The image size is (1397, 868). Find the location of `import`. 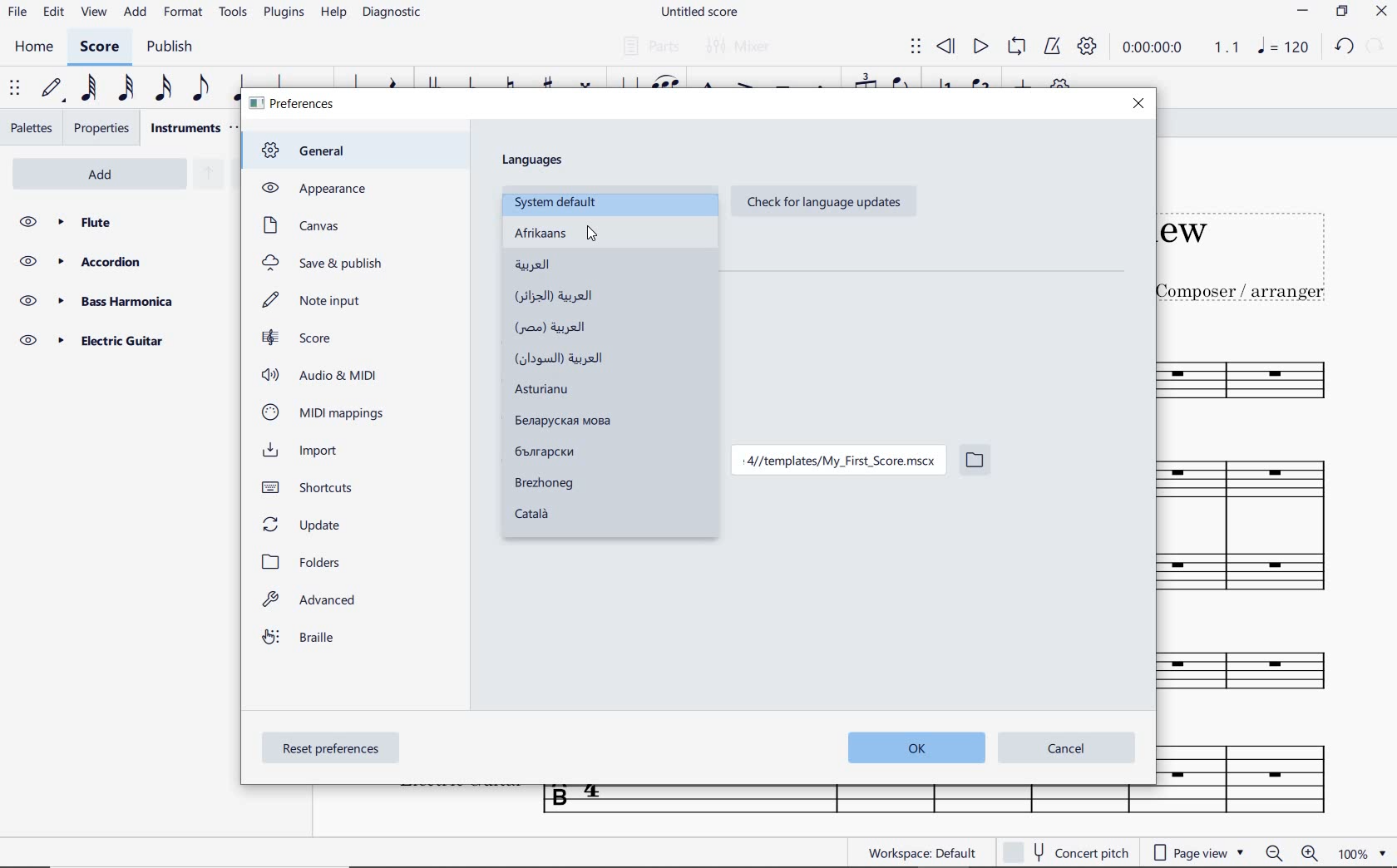

import is located at coordinates (306, 451).